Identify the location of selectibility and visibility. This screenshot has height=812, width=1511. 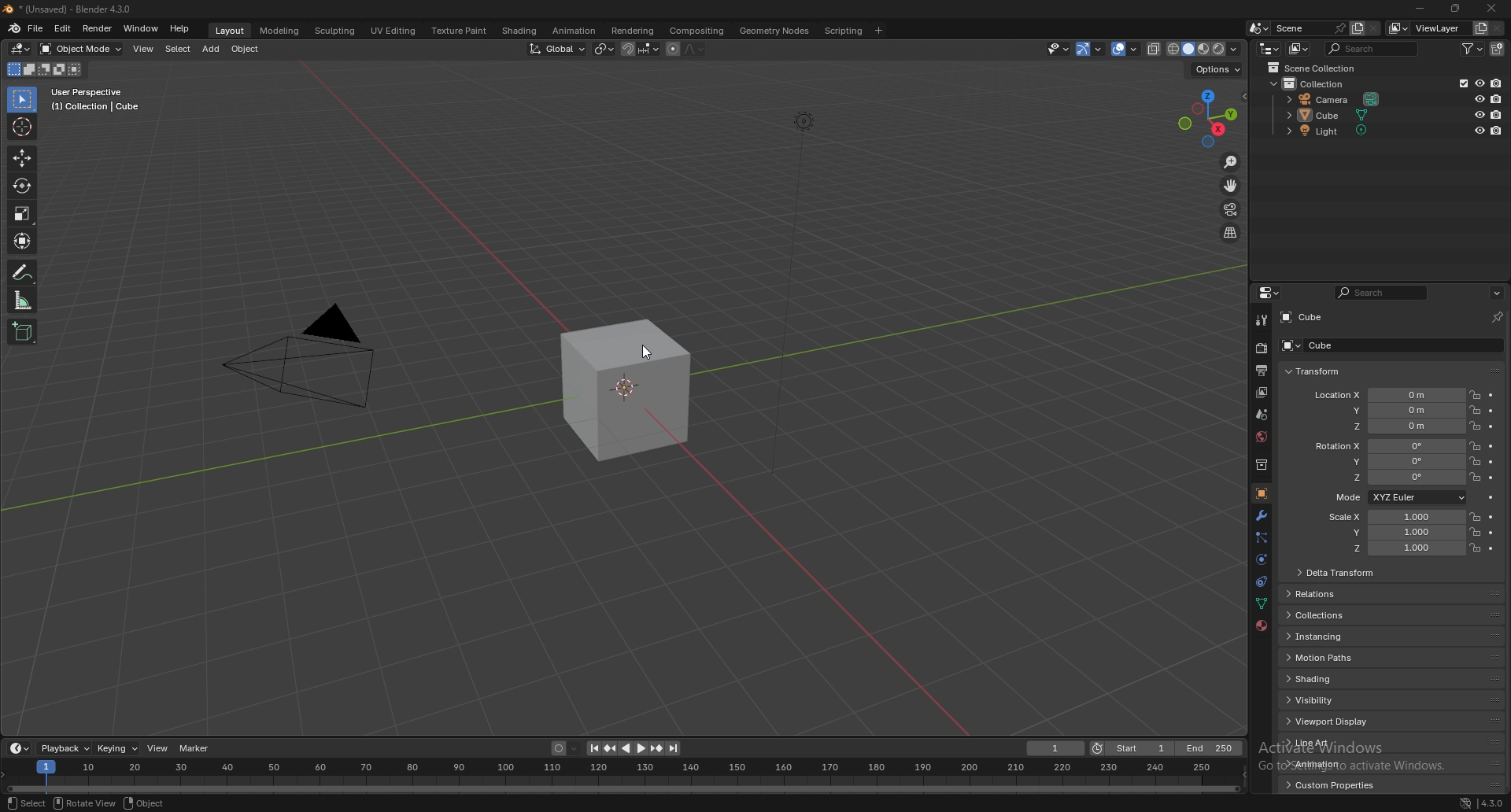
(1058, 49).